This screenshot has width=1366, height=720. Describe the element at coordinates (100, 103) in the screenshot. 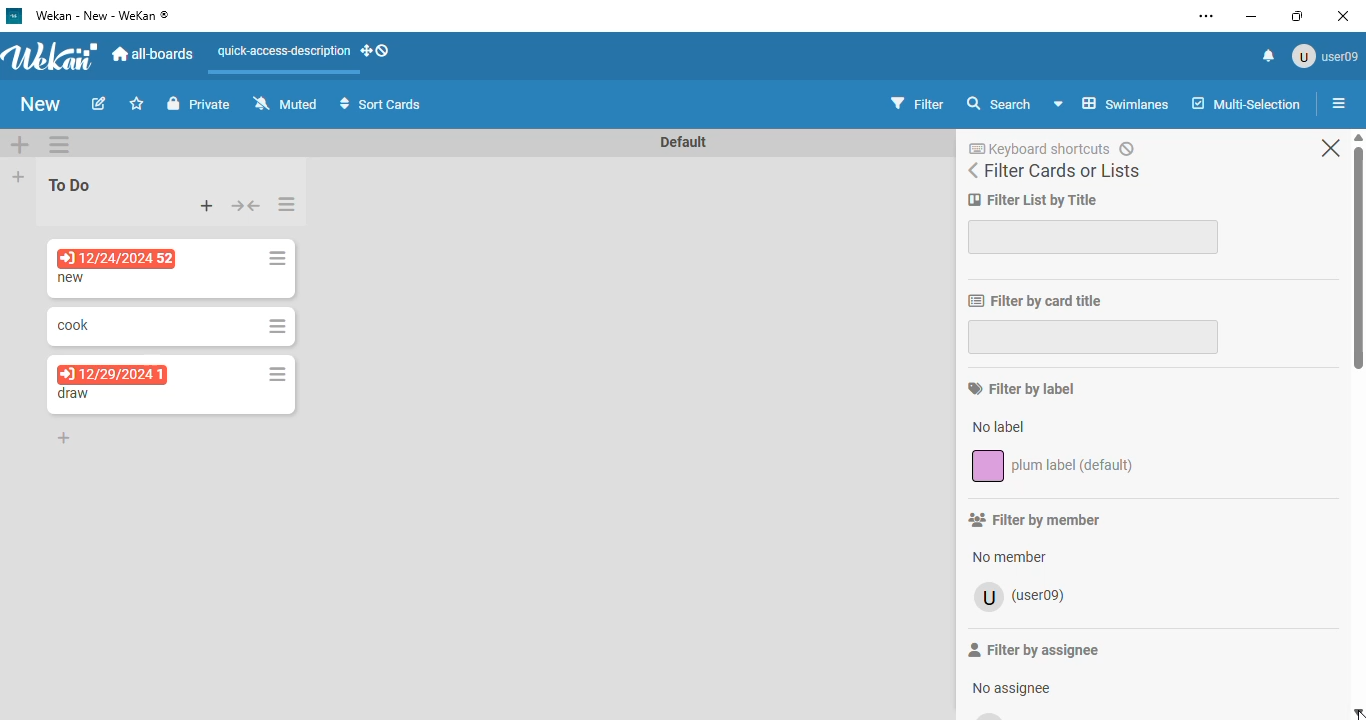

I see `edit` at that location.